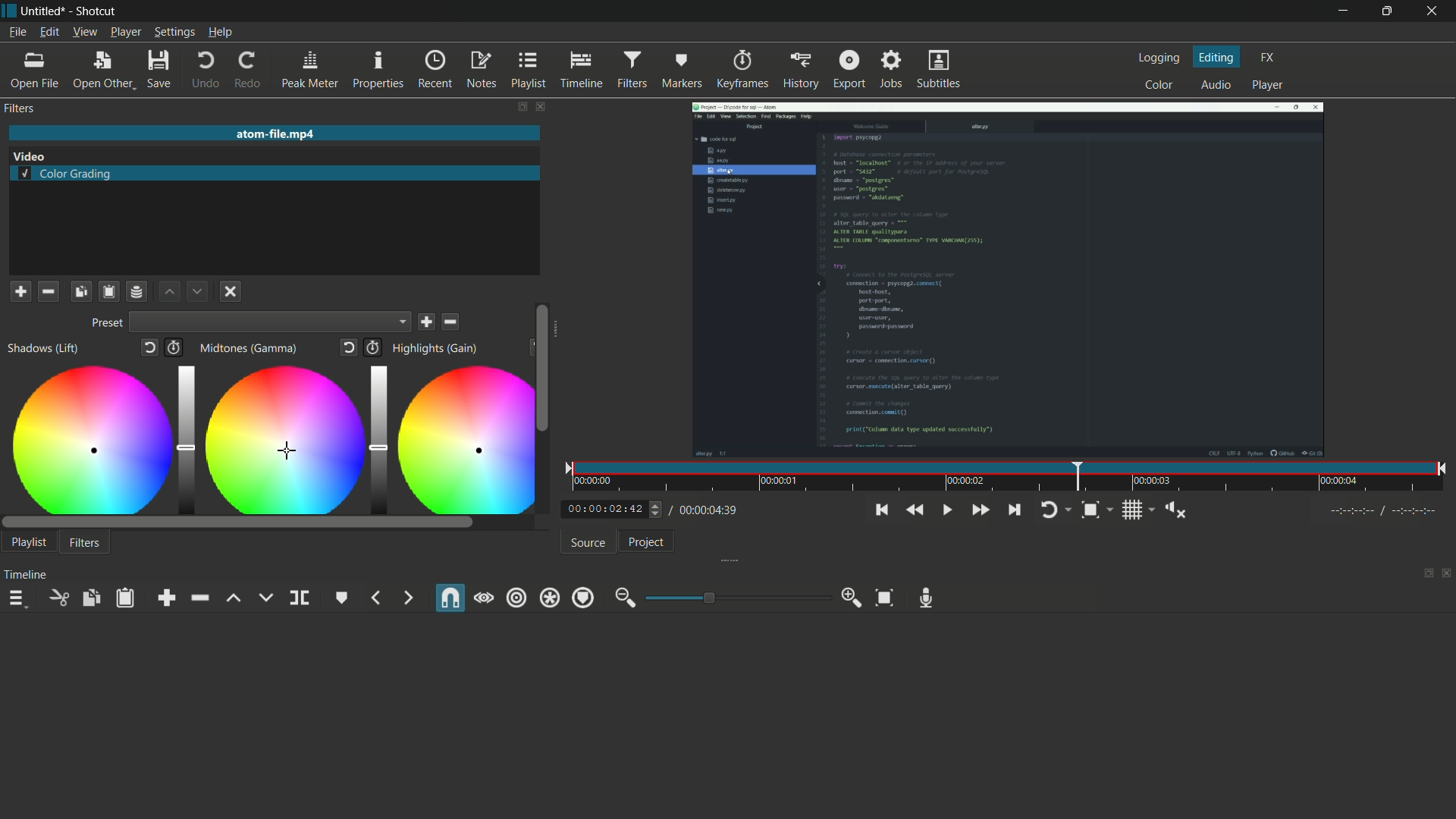 This screenshot has height=819, width=1456. Describe the element at coordinates (377, 71) in the screenshot. I see `properties` at that location.